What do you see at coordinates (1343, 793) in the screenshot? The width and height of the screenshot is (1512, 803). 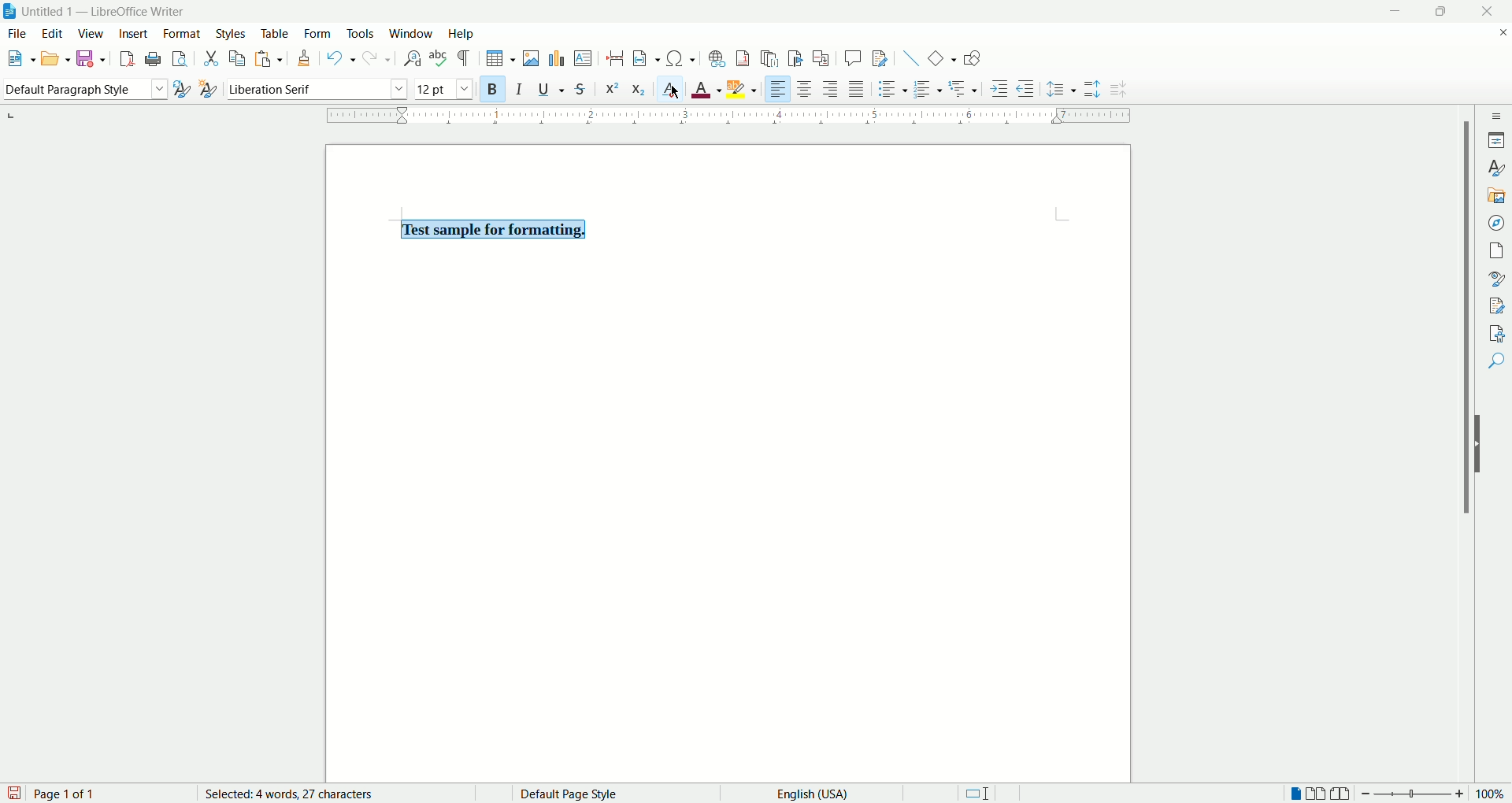 I see `book view` at bounding box center [1343, 793].